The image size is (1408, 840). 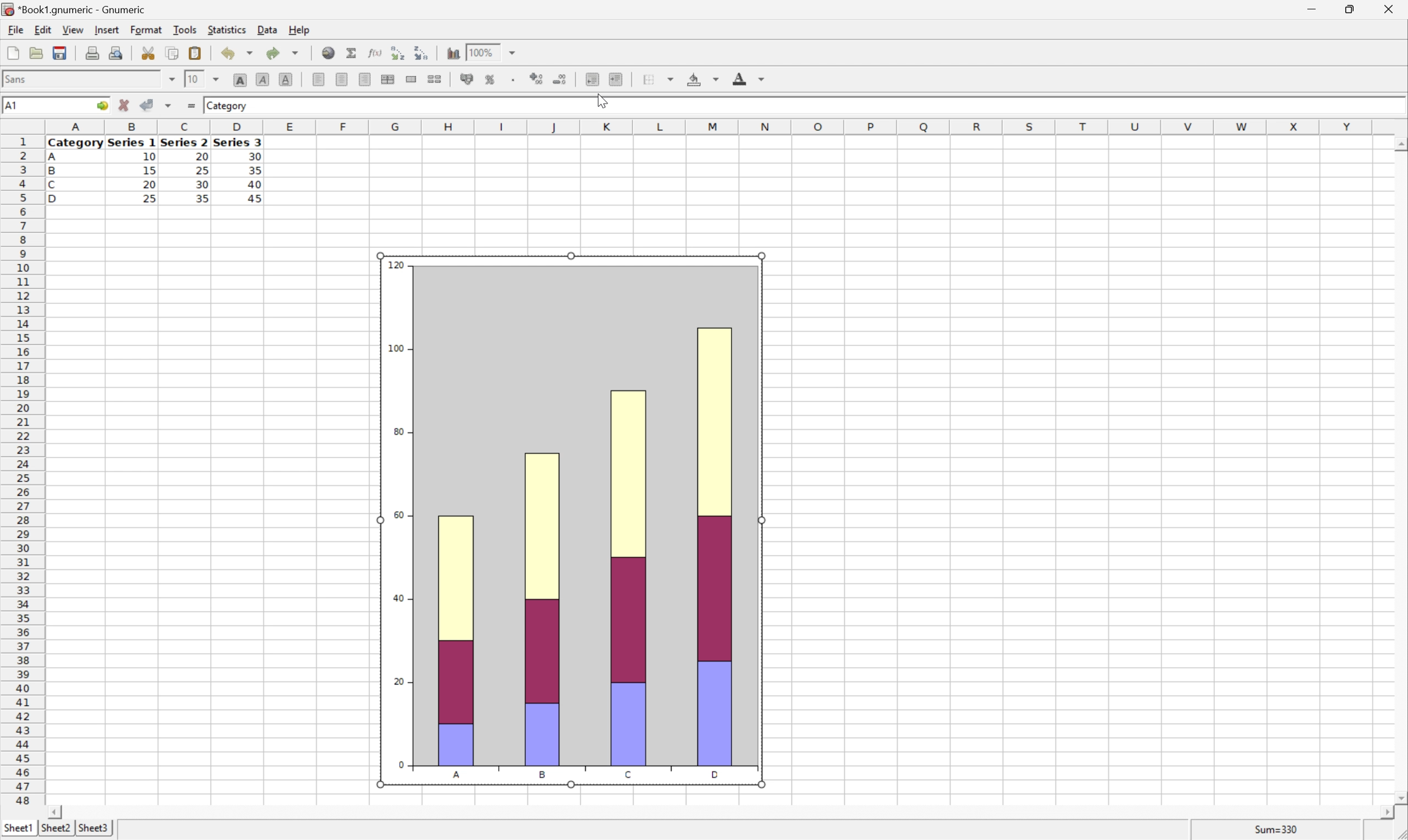 What do you see at coordinates (149, 199) in the screenshot?
I see `25` at bounding box center [149, 199].